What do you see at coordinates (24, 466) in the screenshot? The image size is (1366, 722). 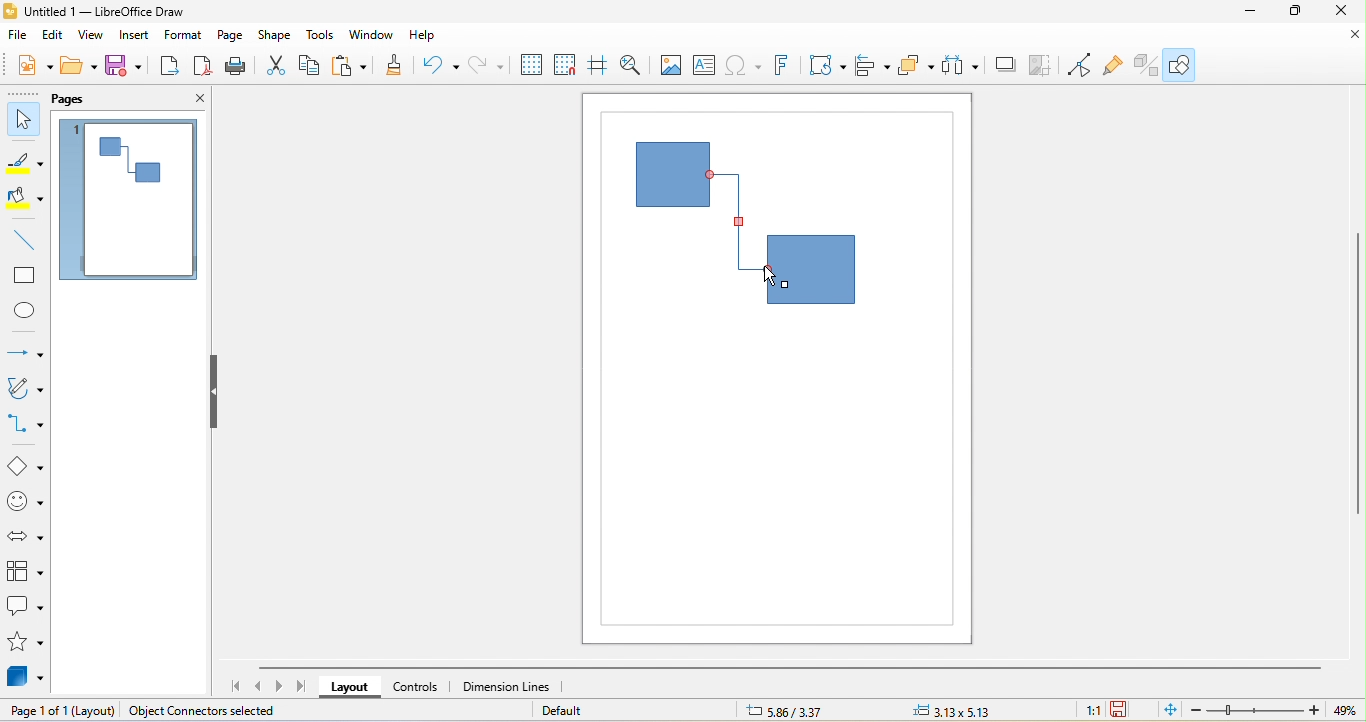 I see `basic shapes` at bounding box center [24, 466].